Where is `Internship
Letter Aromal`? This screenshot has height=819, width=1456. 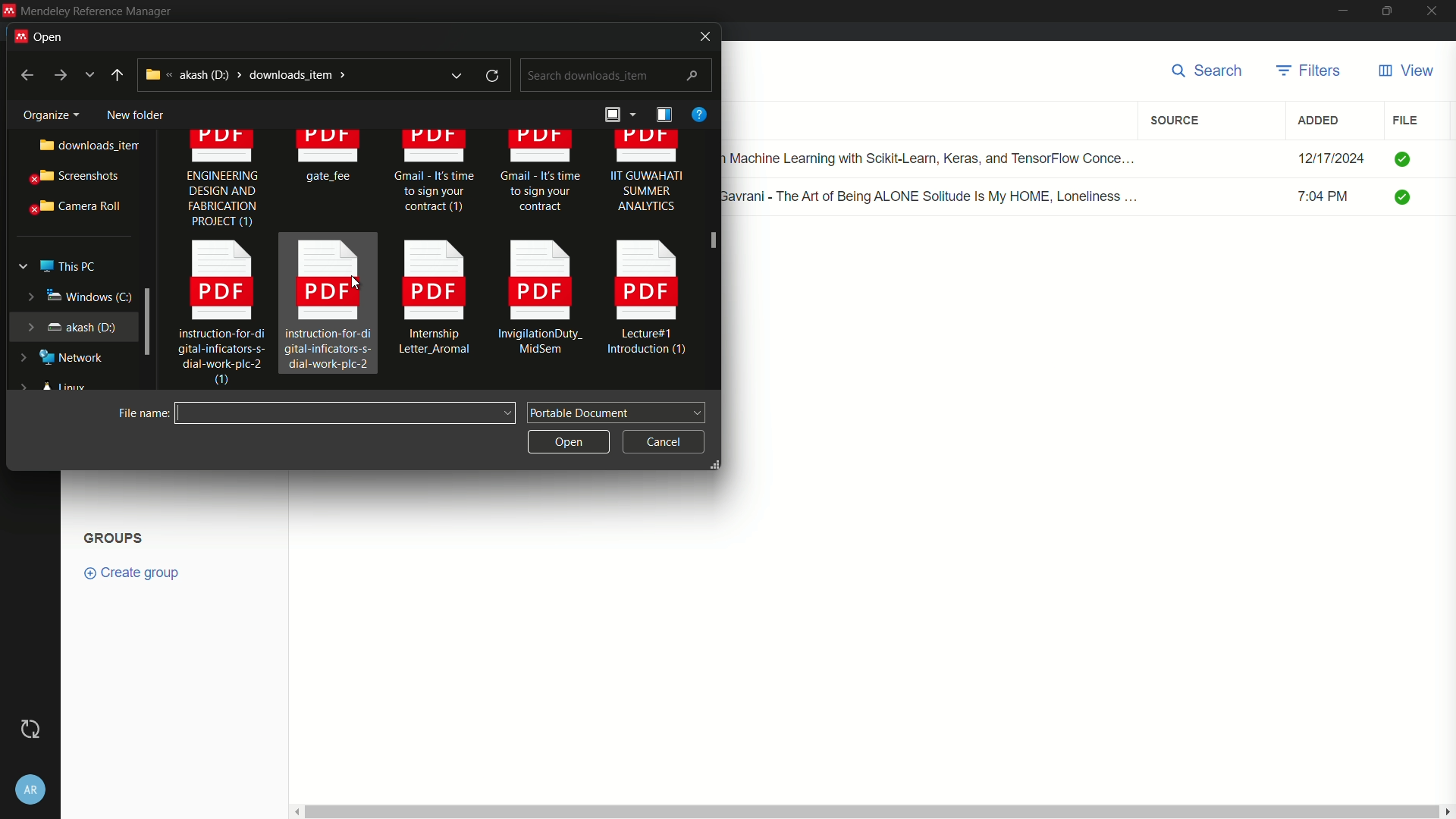 Internship
Letter Aromal is located at coordinates (429, 303).